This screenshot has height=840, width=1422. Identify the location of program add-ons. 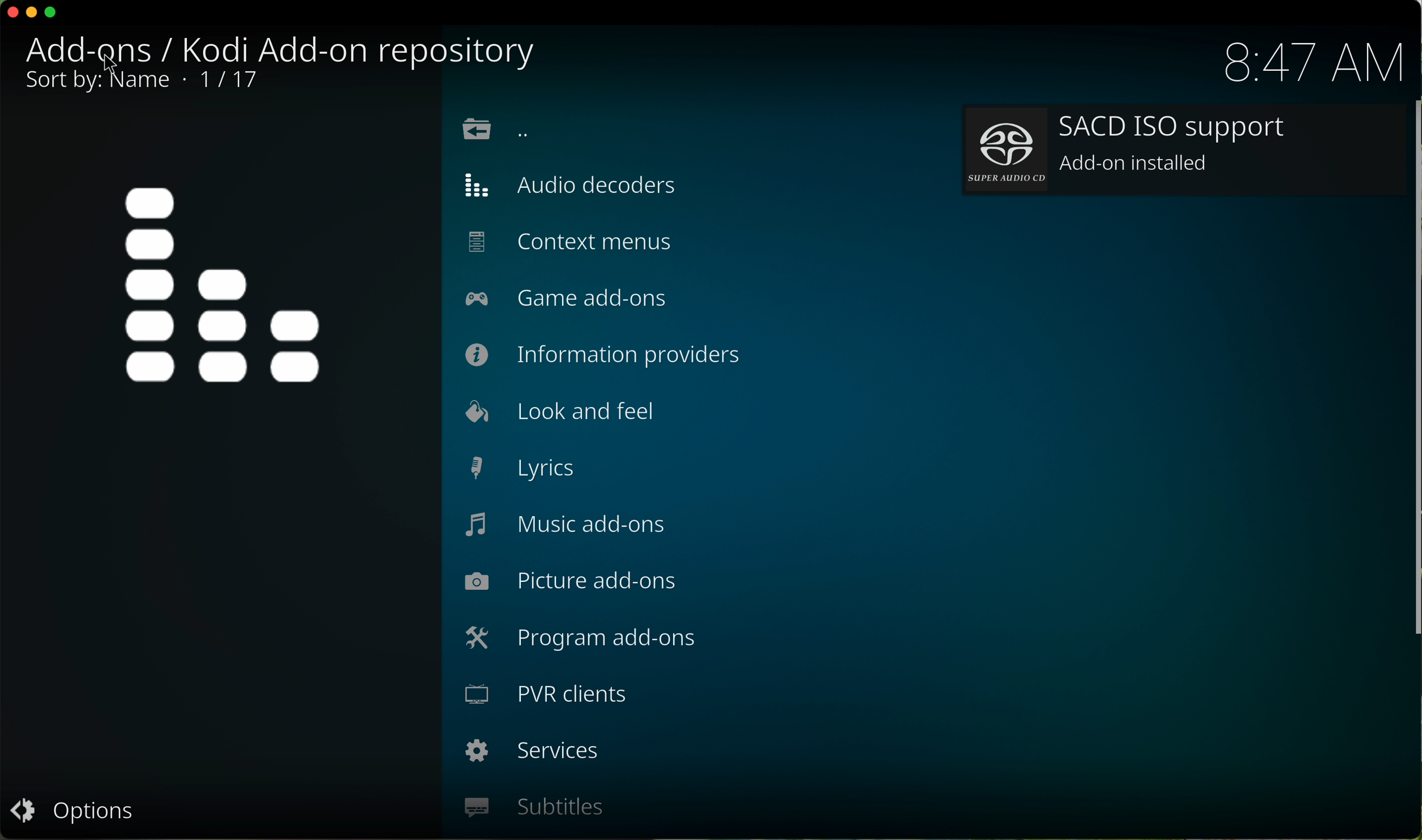
(579, 641).